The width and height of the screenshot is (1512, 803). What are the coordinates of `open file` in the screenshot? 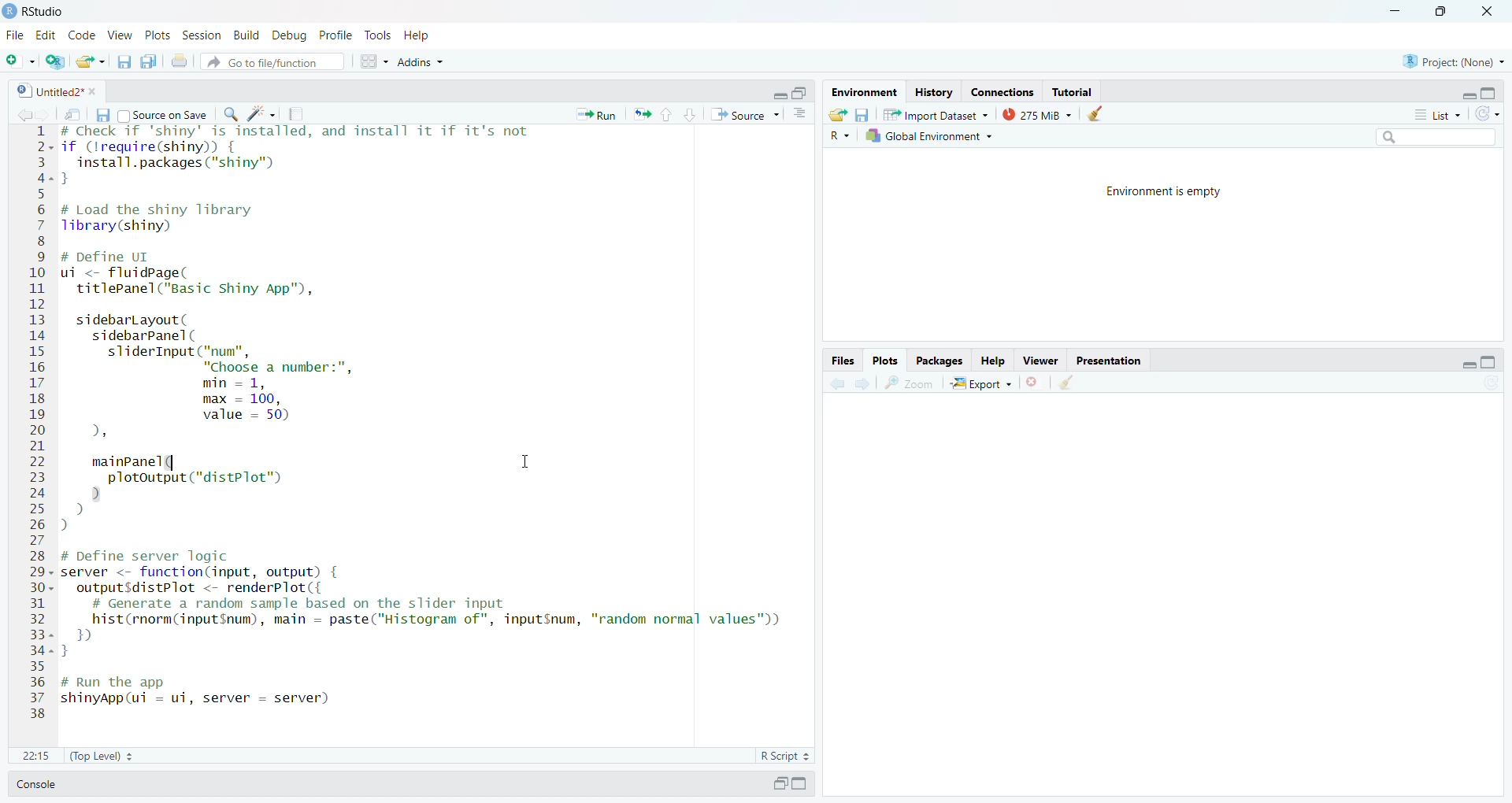 It's located at (92, 62).